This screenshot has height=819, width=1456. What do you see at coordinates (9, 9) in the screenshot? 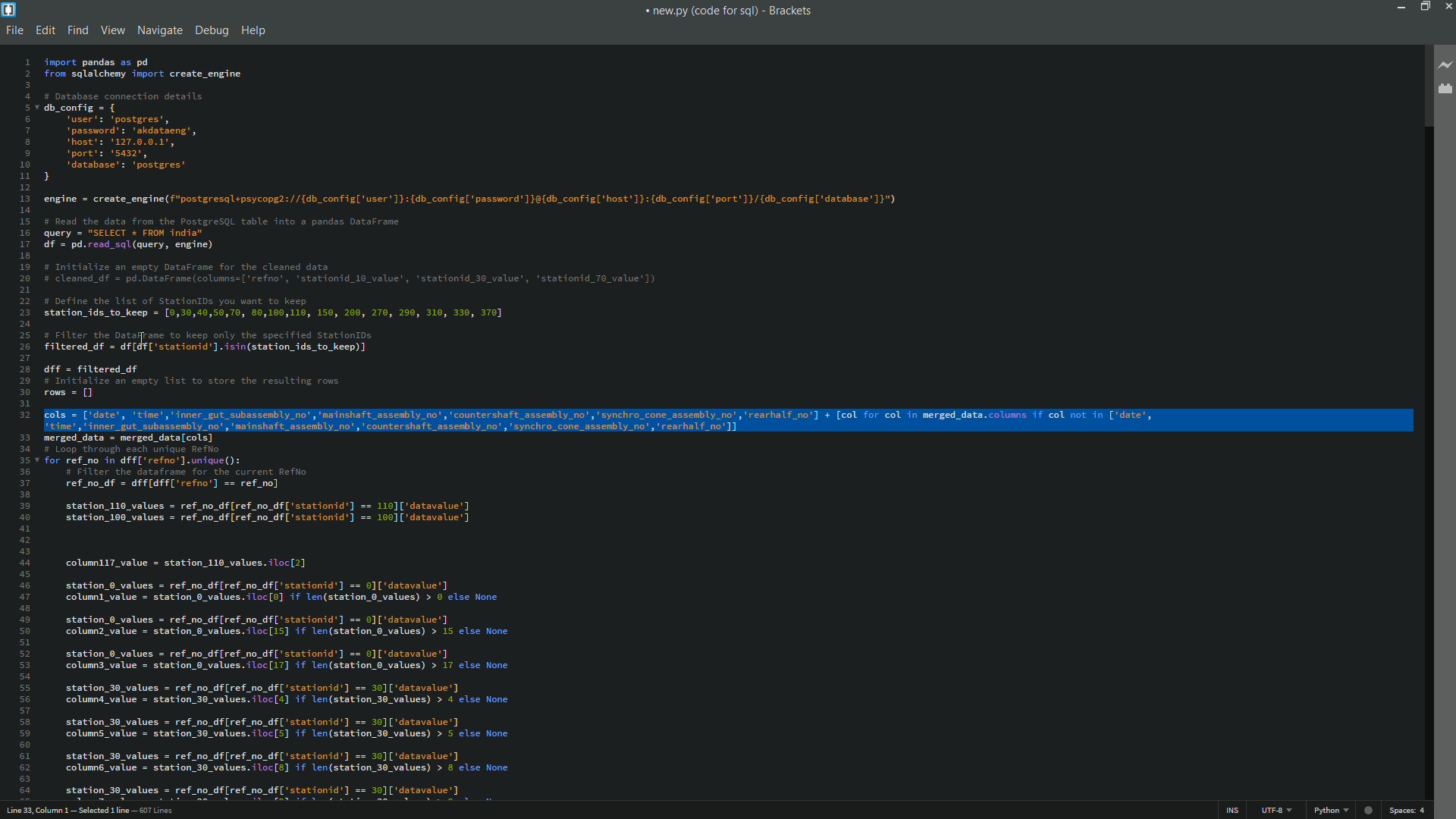
I see `app icon` at bounding box center [9, 9].